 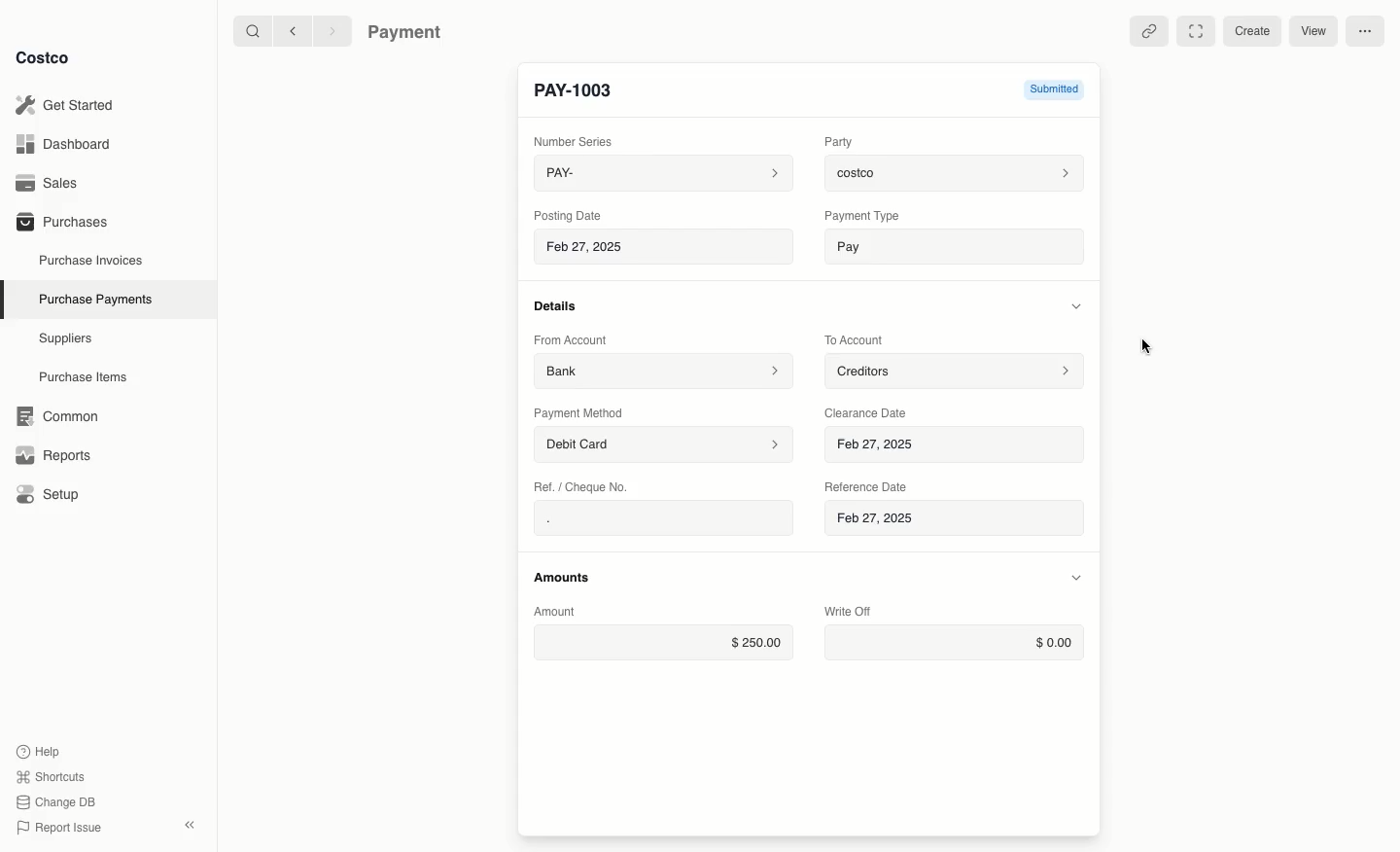 What do you see at coordinates (951, 370) in the screenshot?
I see `Creditors` at bounding box center [951, 370].